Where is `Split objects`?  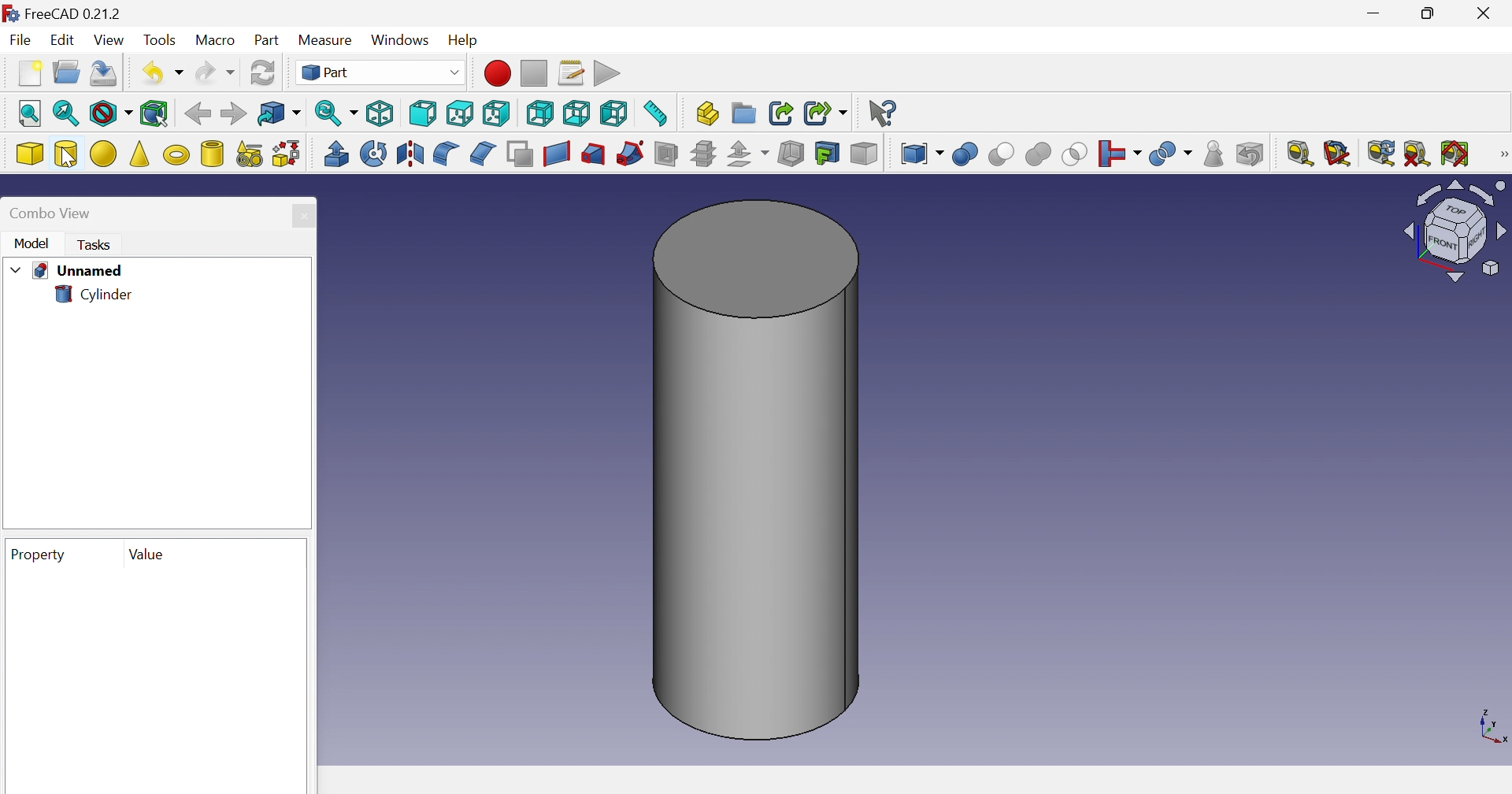
Split objects is located at coordinates (1173, 154).